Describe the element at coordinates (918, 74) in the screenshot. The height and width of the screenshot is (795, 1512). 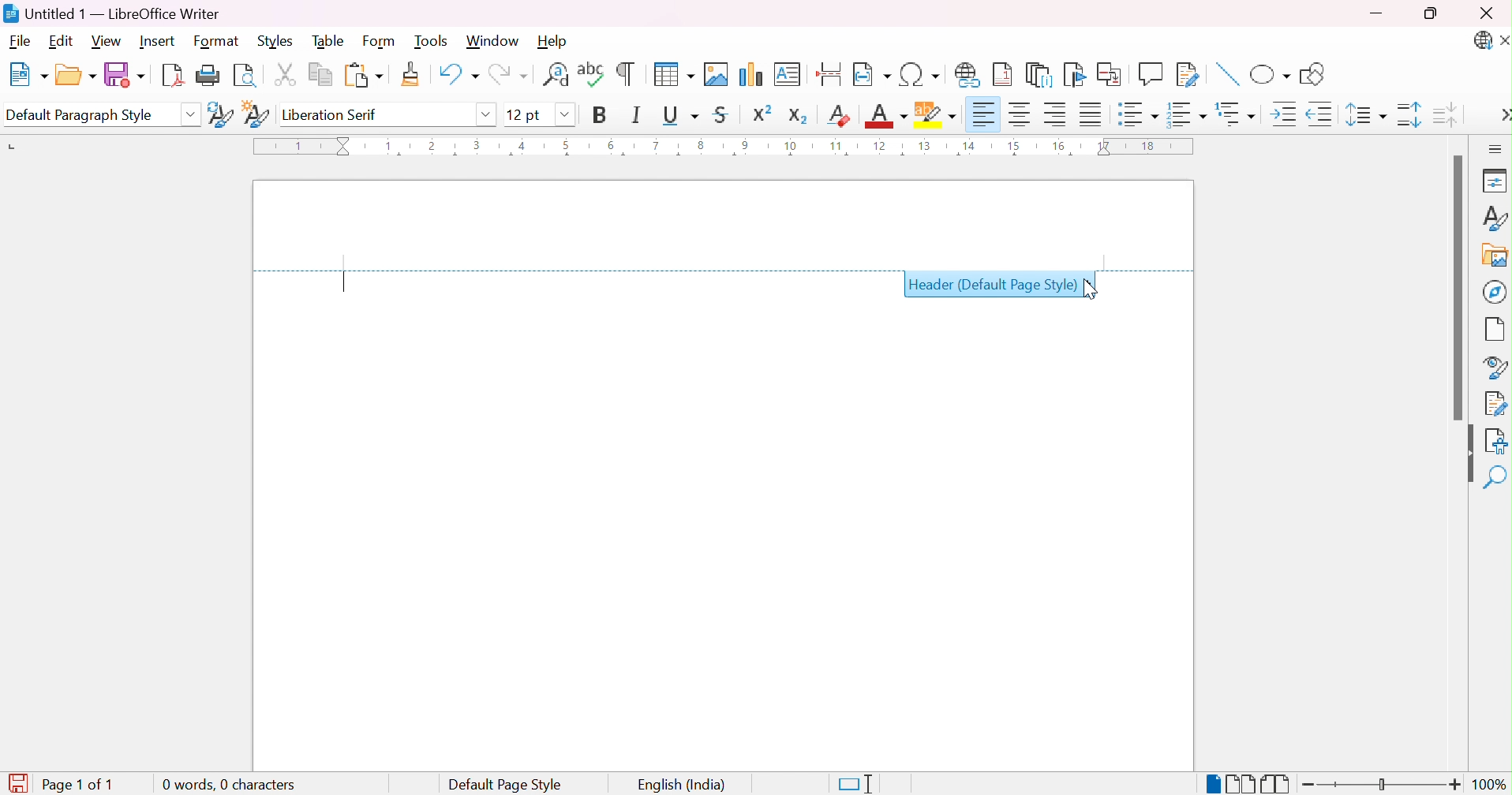
I see `Insert special characters` at that location.